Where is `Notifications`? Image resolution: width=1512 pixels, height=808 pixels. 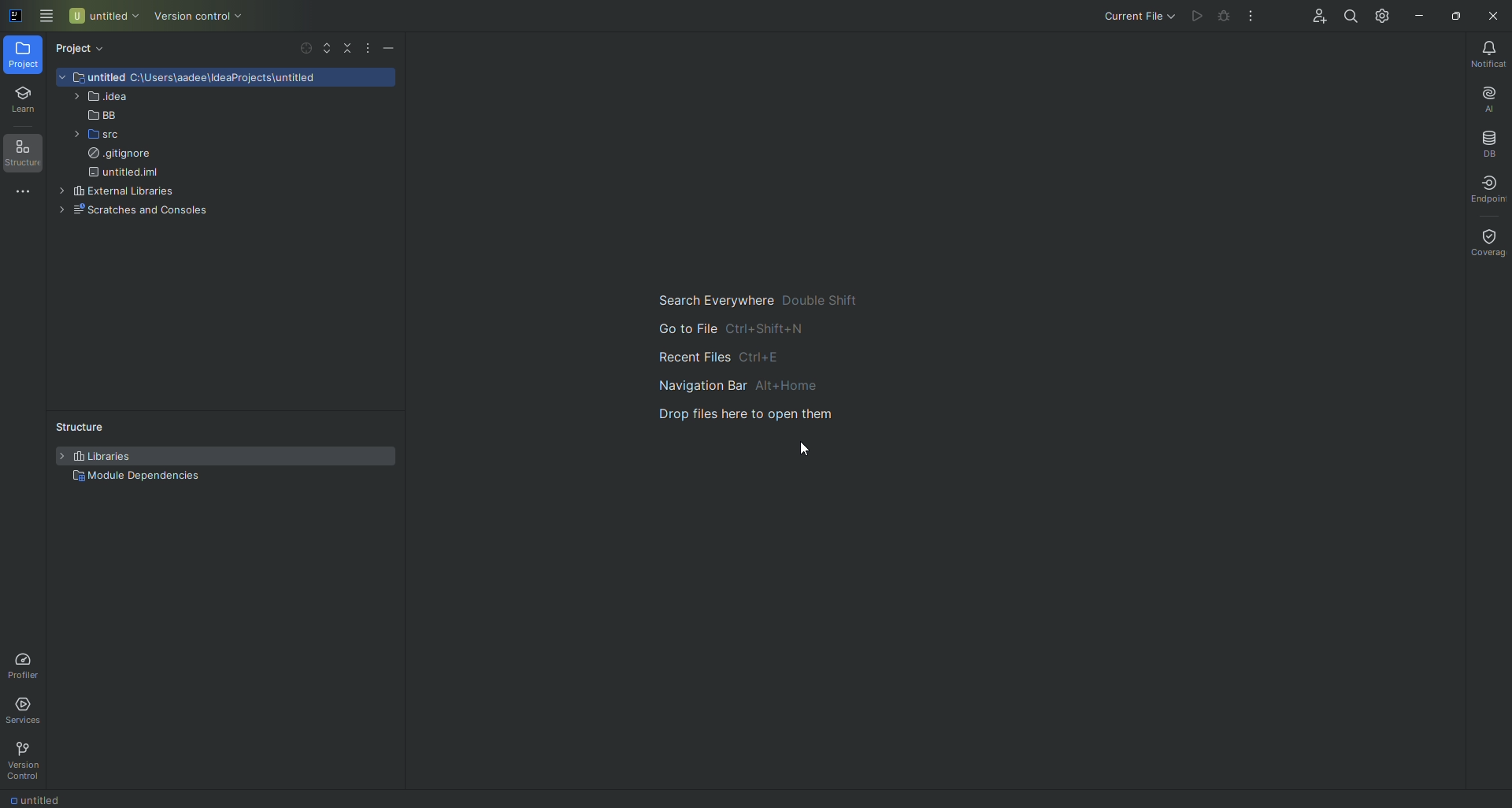 Notifications is located at coordinates (1484, 54).